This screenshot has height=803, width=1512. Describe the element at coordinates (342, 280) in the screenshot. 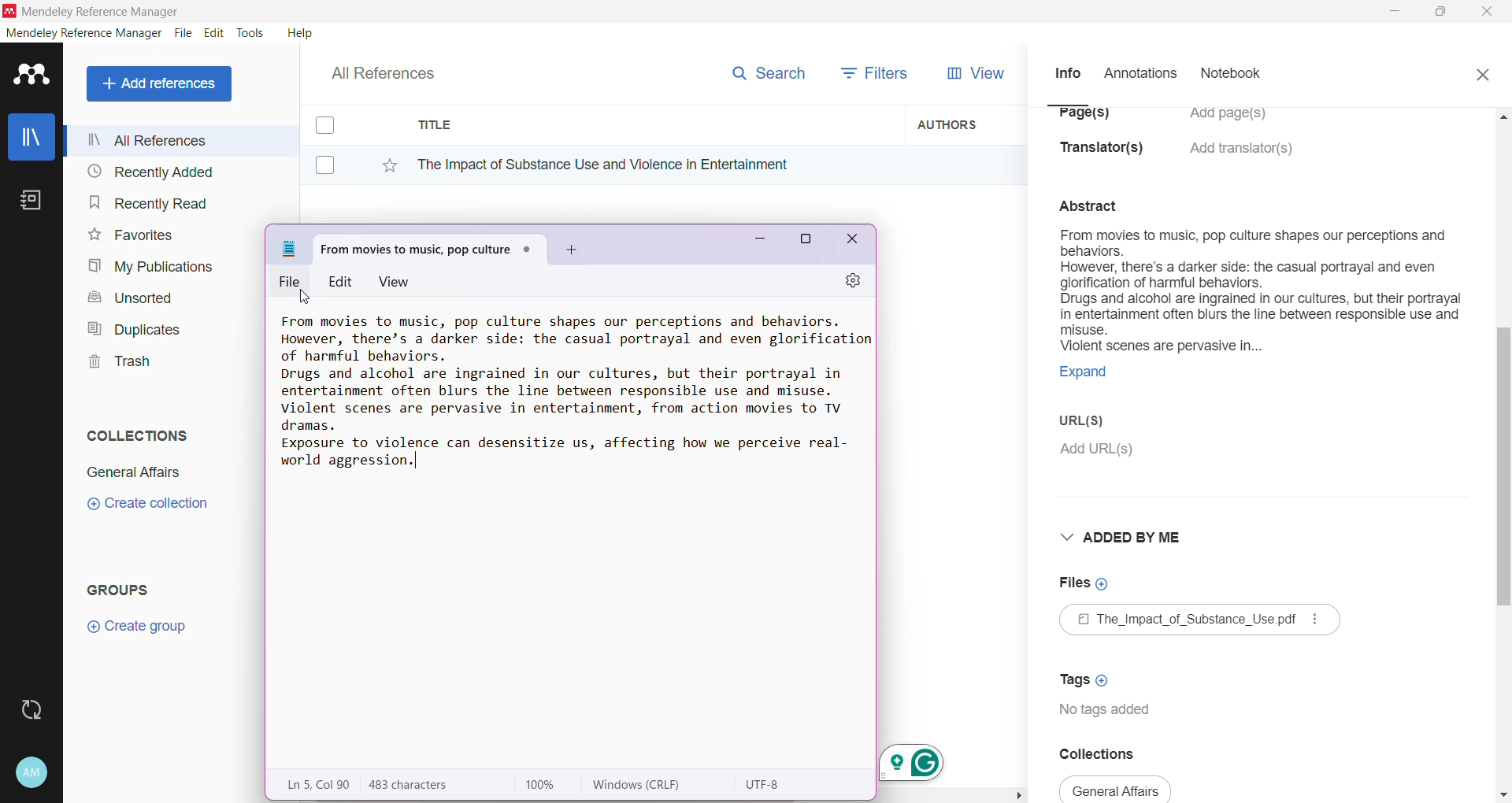

I see `Edit` at that location.